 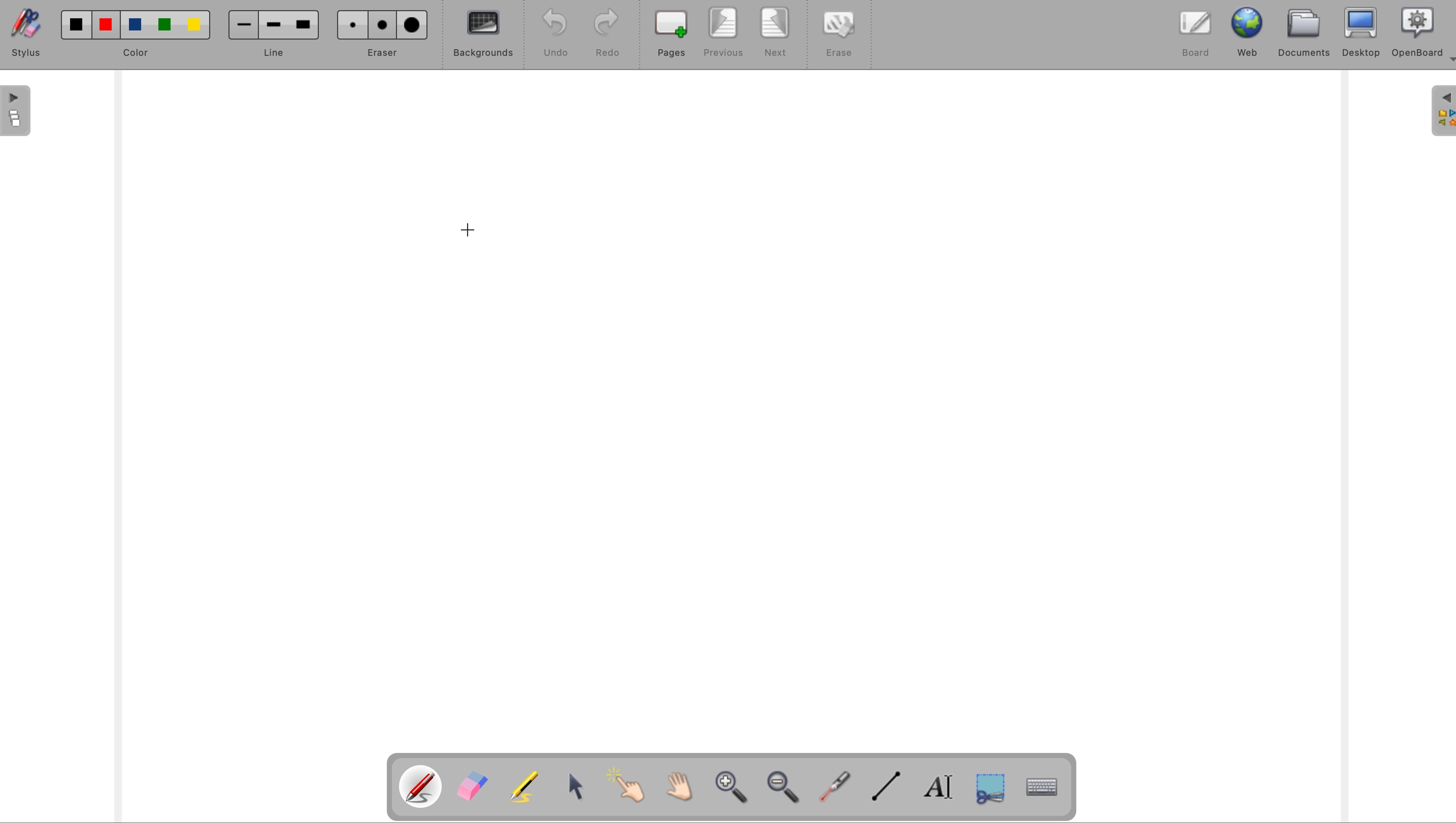 What do you see at coordinates (31, 32) in the screenshot?
I see `stylus` at bounding box center [31, 32].